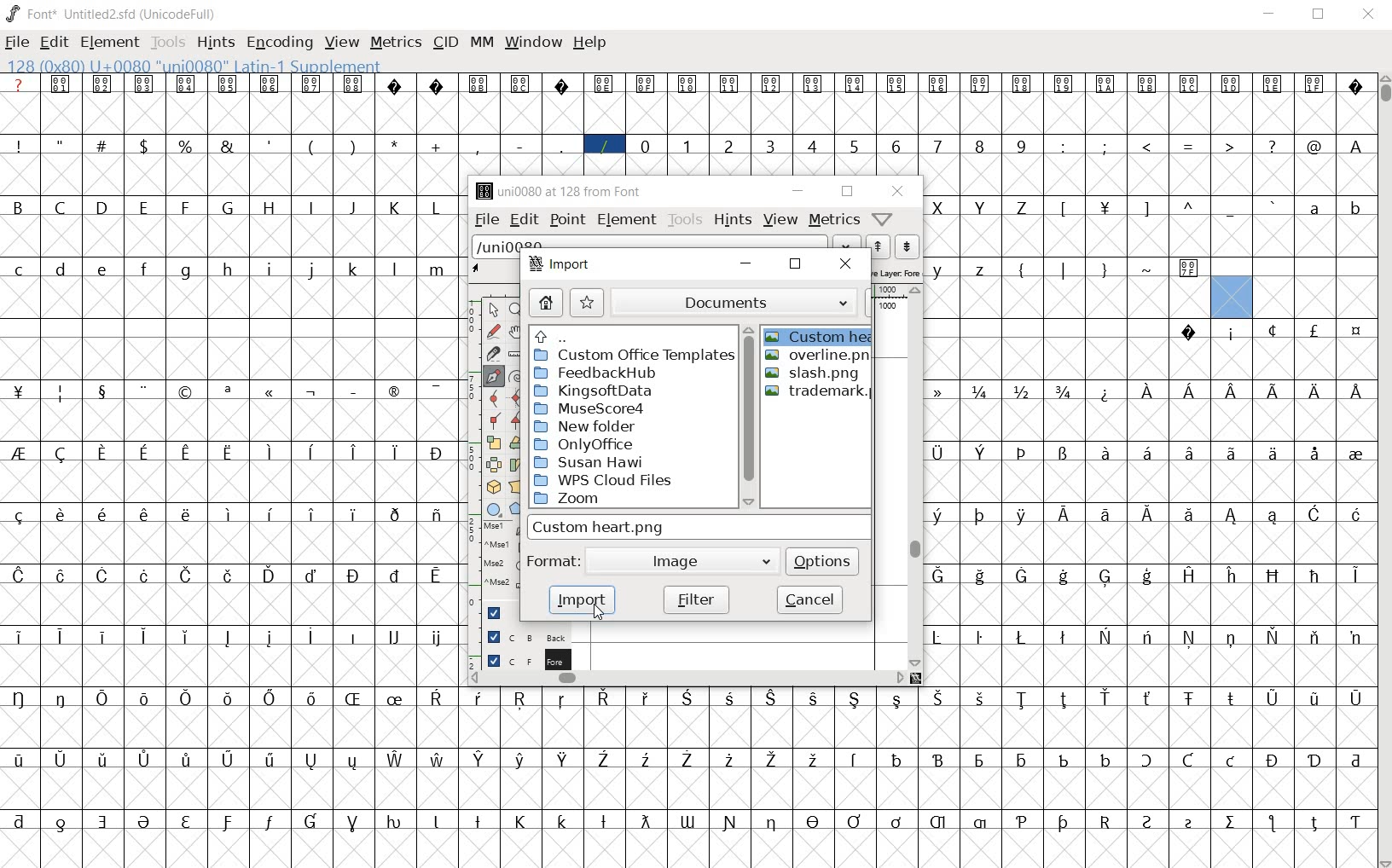 The image size is (1392, 868). Describe the element at coordinates (352, 698) in the screenshot. I see `glyph` at that location.